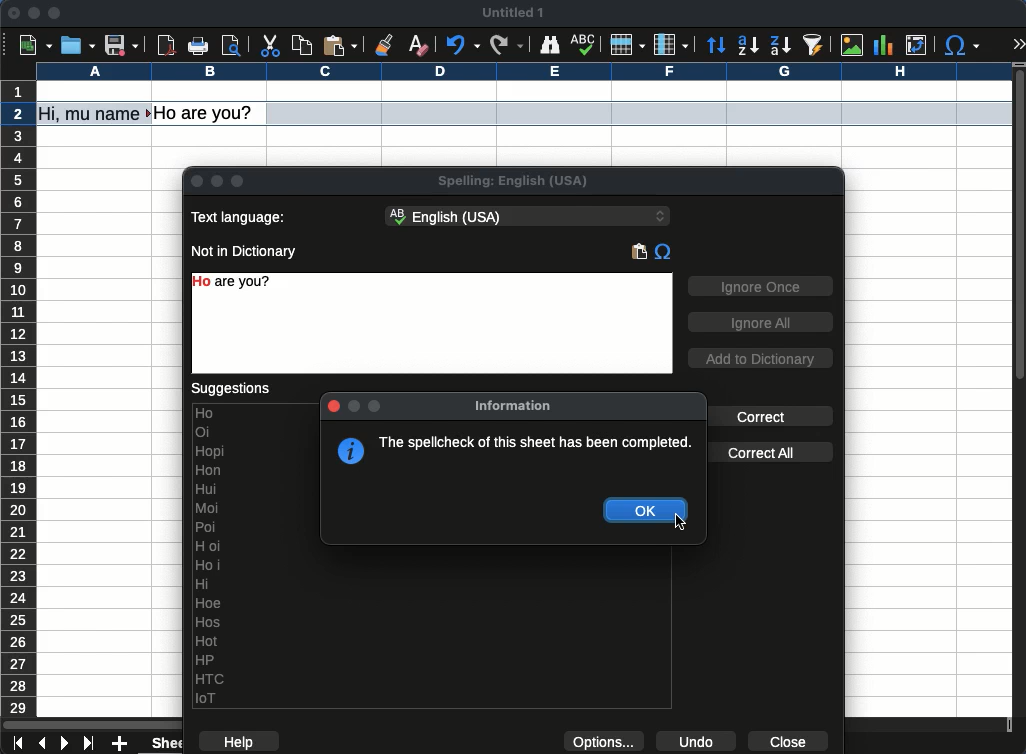  I want to click on first sheet, so click(20, 743).